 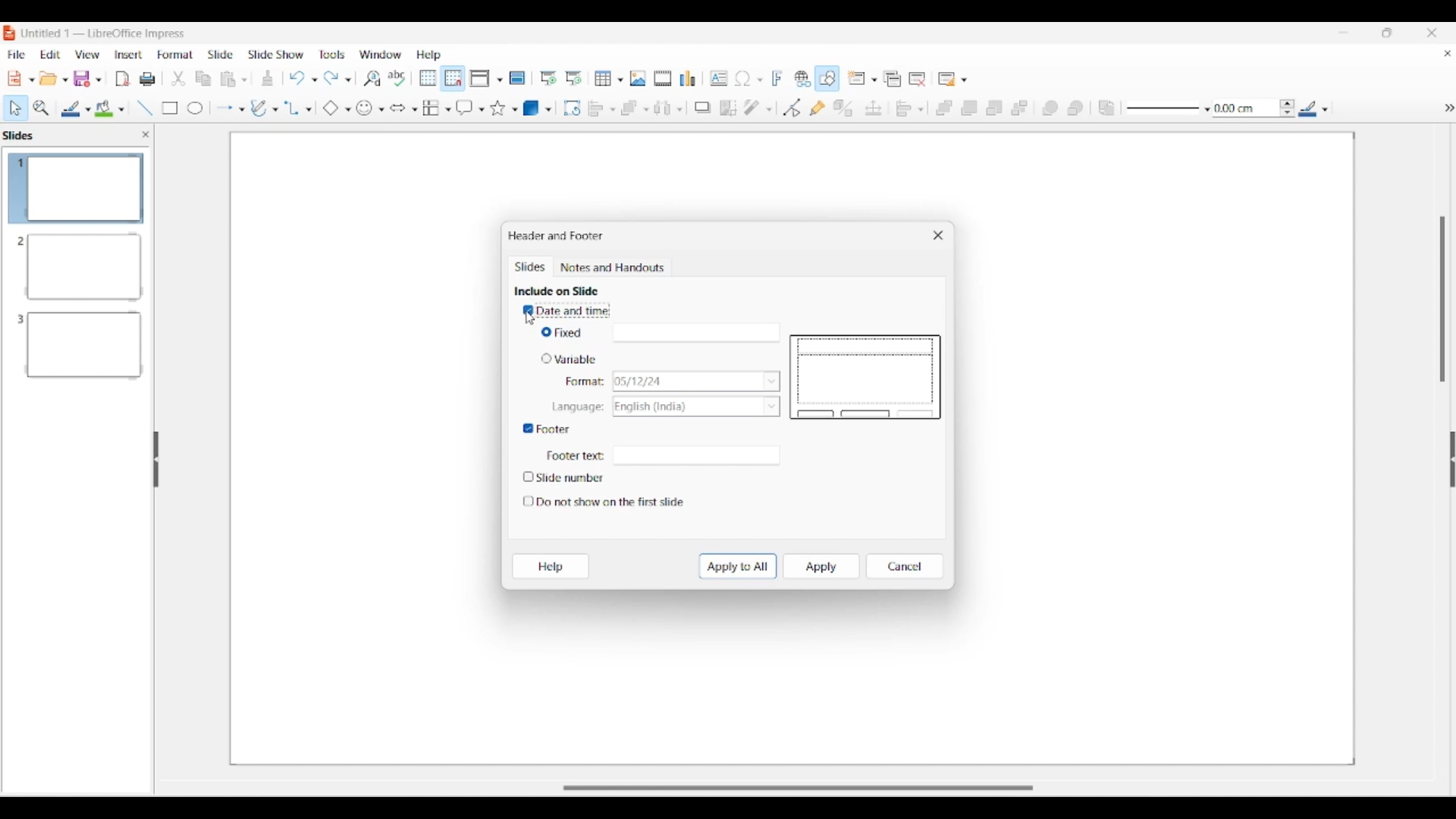 What do you see at coordinates (567, 358) in the screenshot?
I see `Toggle for variable` at bounding box center [567, 358].